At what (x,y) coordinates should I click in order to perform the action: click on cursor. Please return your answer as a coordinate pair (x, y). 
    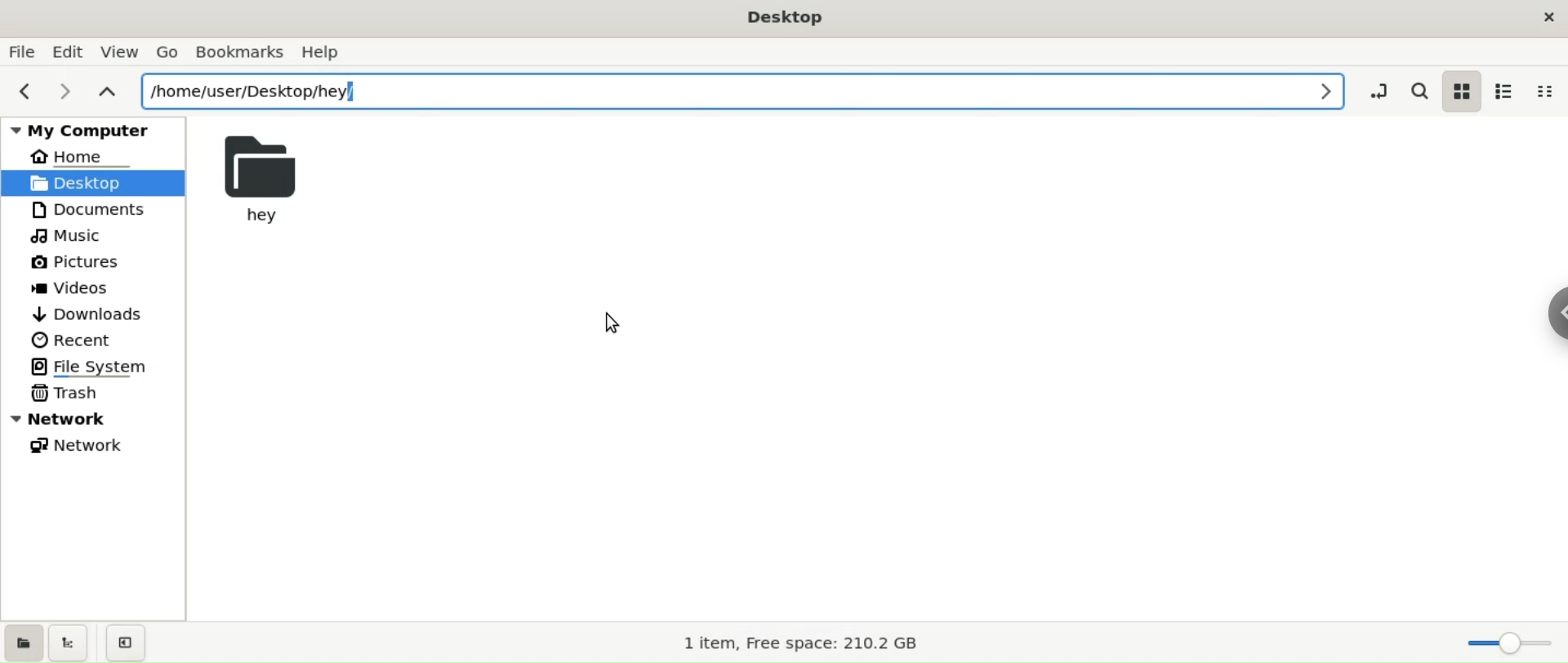
    Looking at the image, I should click on (619, 327).